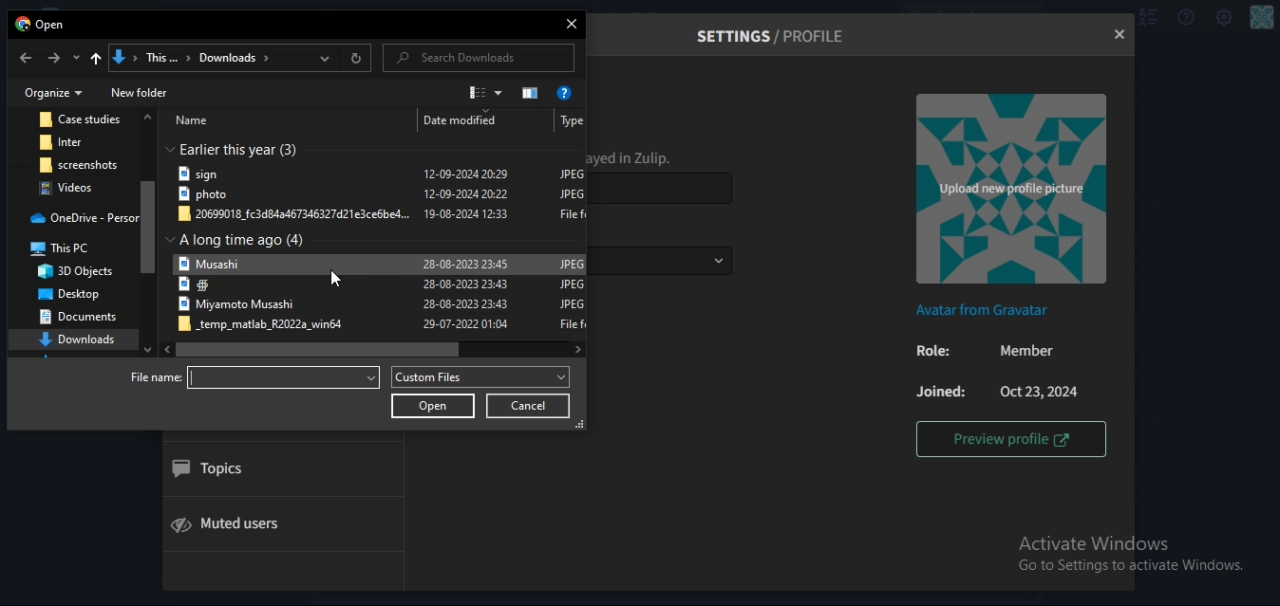 The height and width of the screenshot is (606, 1280). I want to click on Avatar from Gravatar, so click(986, 311).